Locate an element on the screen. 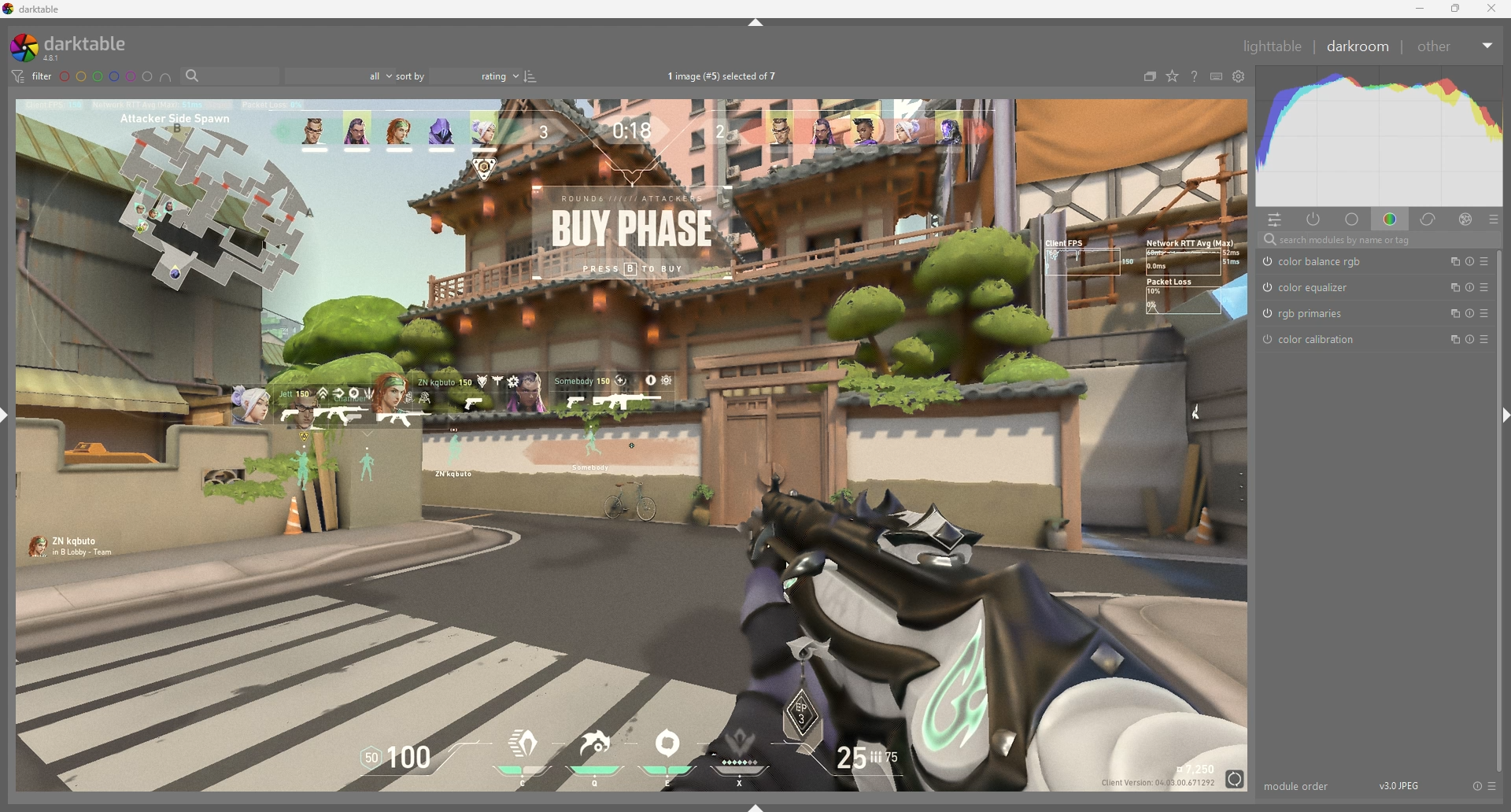  heat graph is located at coordinates (1379, 136).